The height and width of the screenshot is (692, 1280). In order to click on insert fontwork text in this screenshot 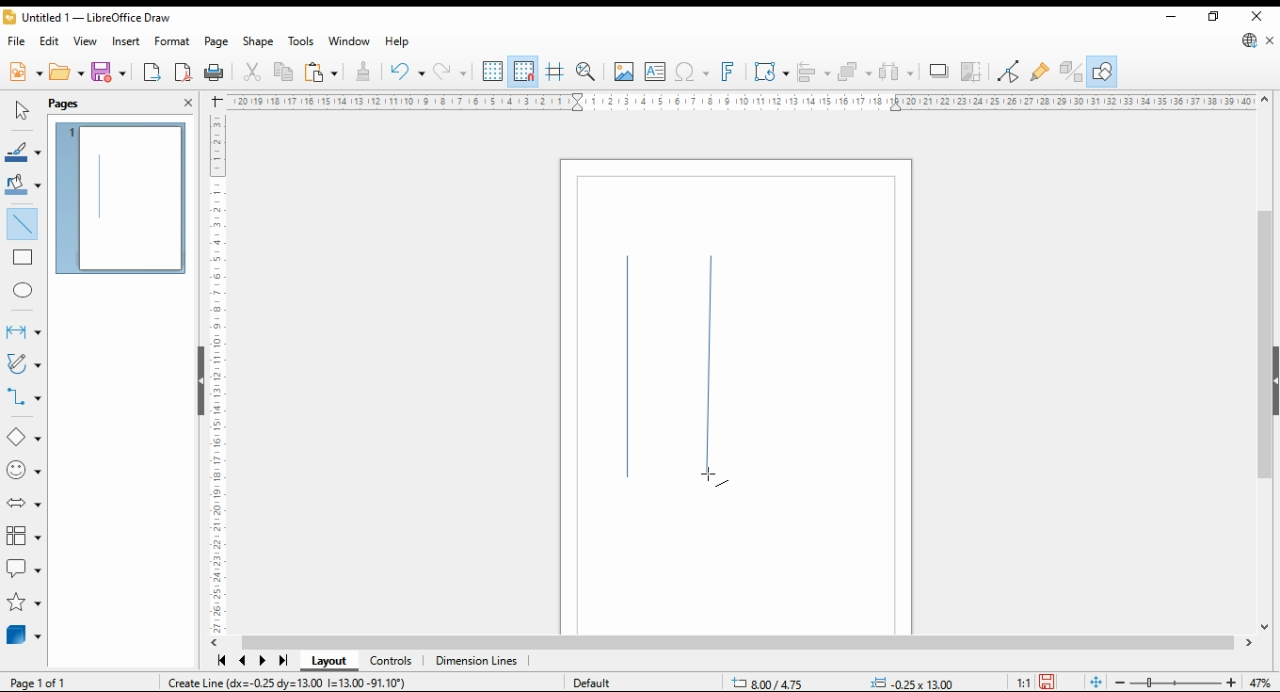, I will do `click(728, 72)`.